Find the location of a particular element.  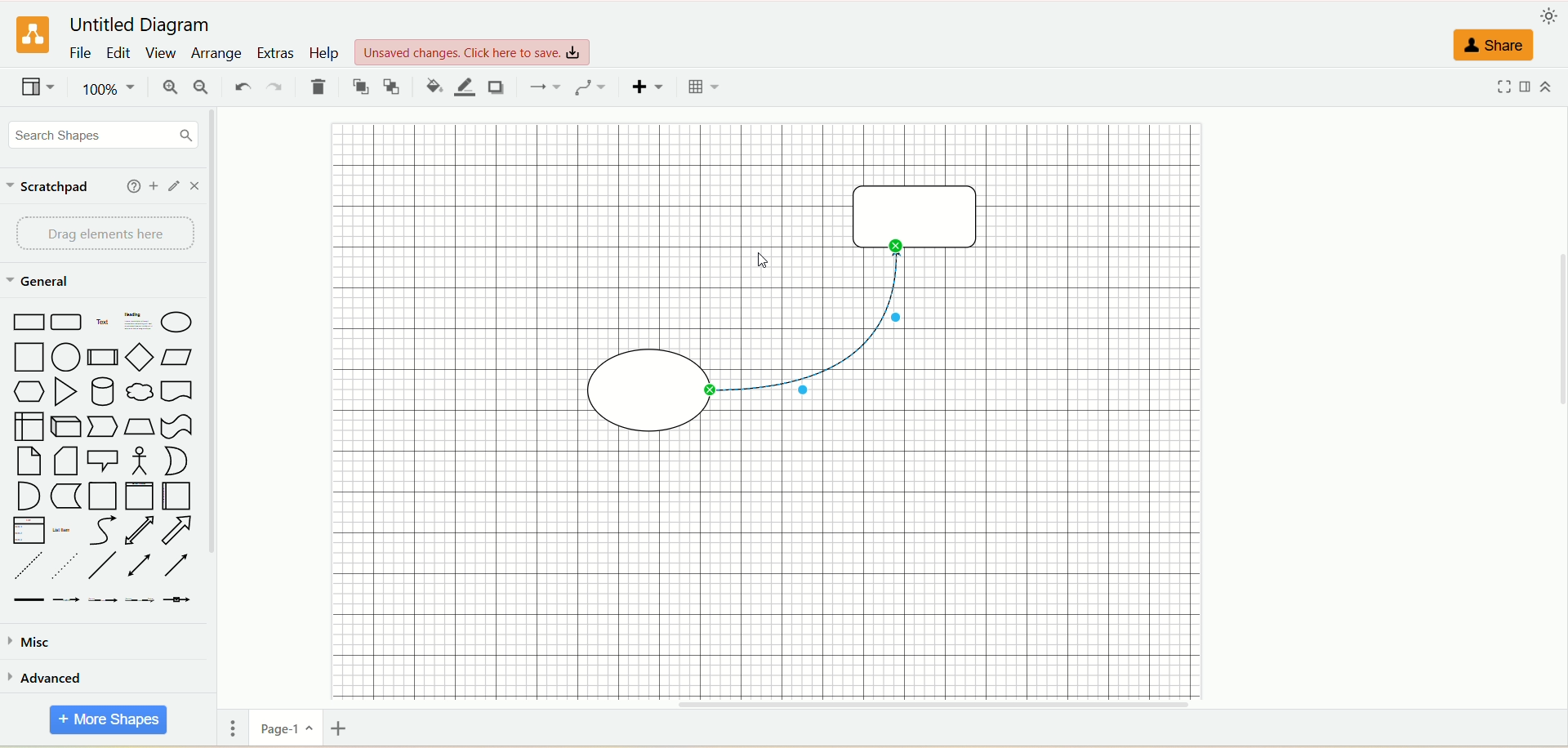

insert is located at coordinates (645, 87).